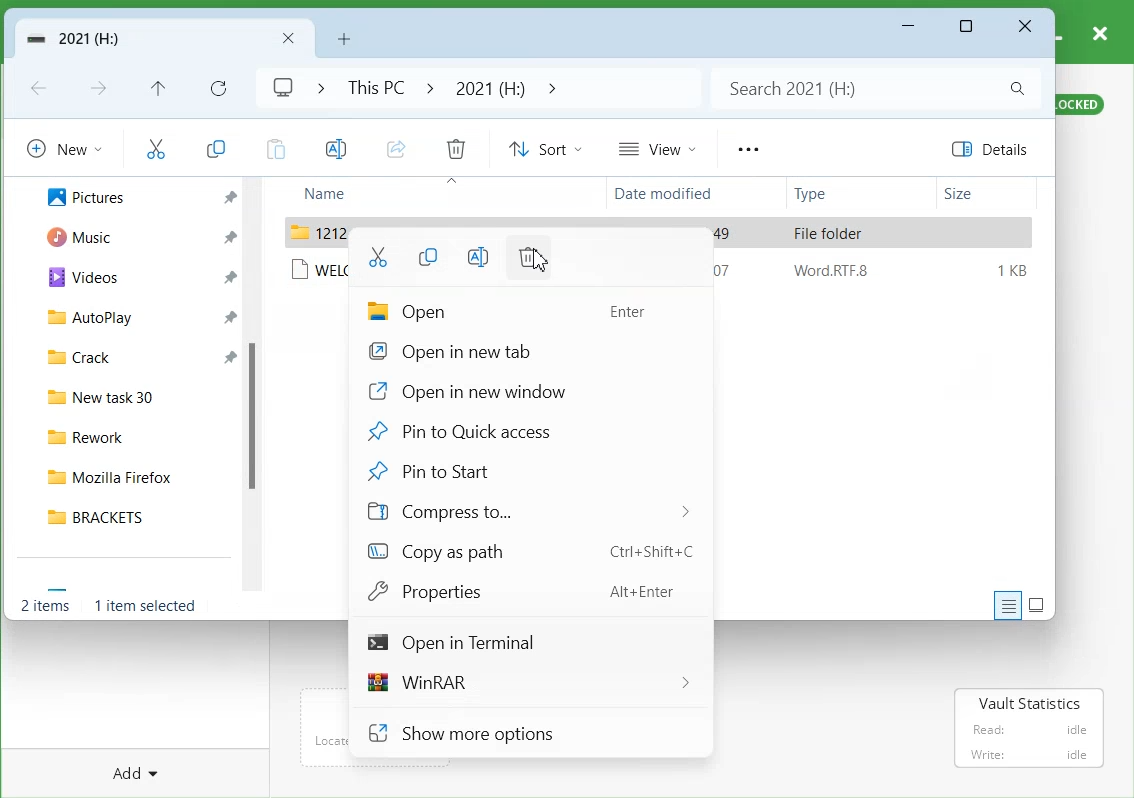  What do you see at coordinates (1030, 703) in the screenshot?
I see `Vault Statistics` at bounding box center [1030, 703].